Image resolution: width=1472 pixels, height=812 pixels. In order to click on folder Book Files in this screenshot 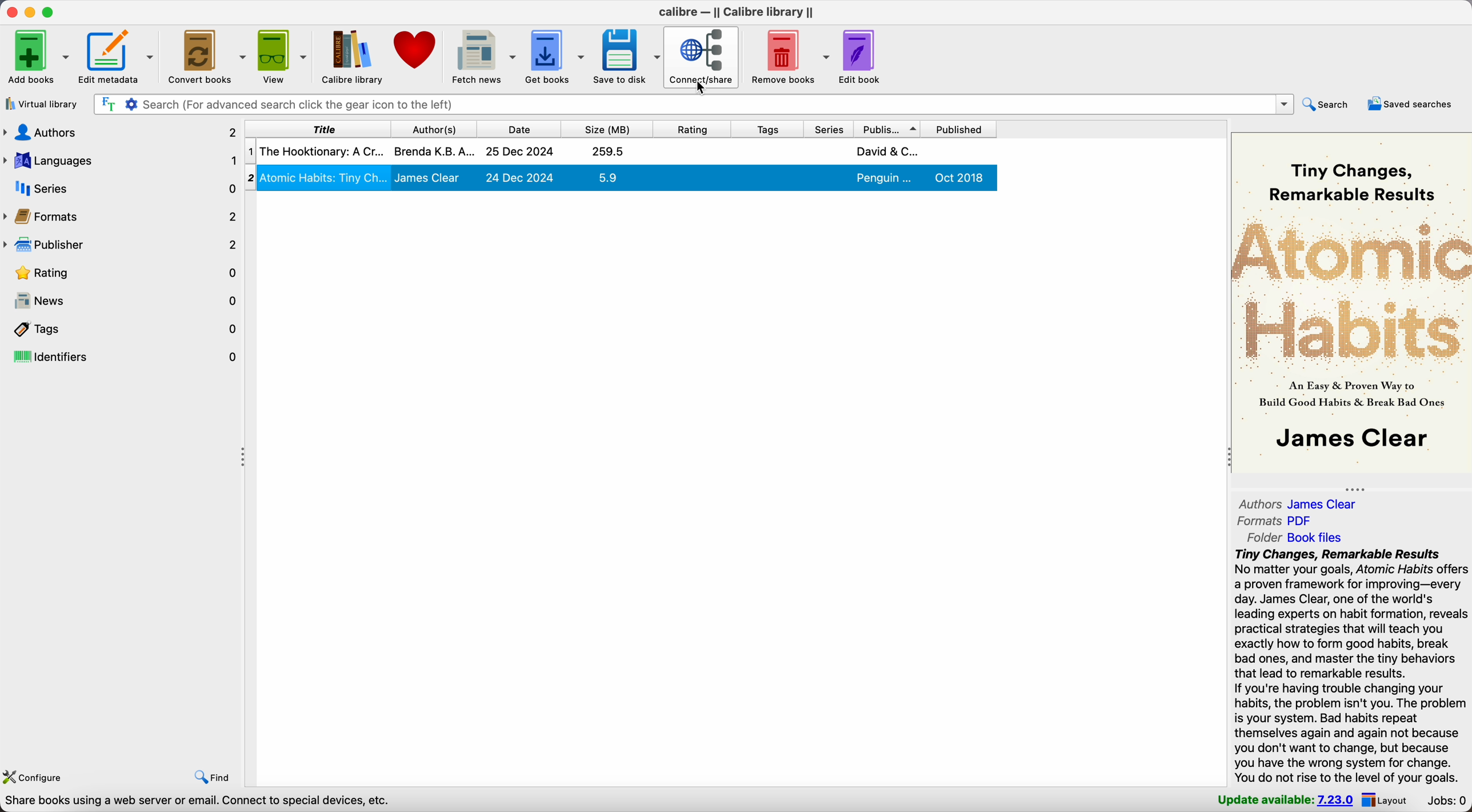, I will do `click(1290, 538)`.